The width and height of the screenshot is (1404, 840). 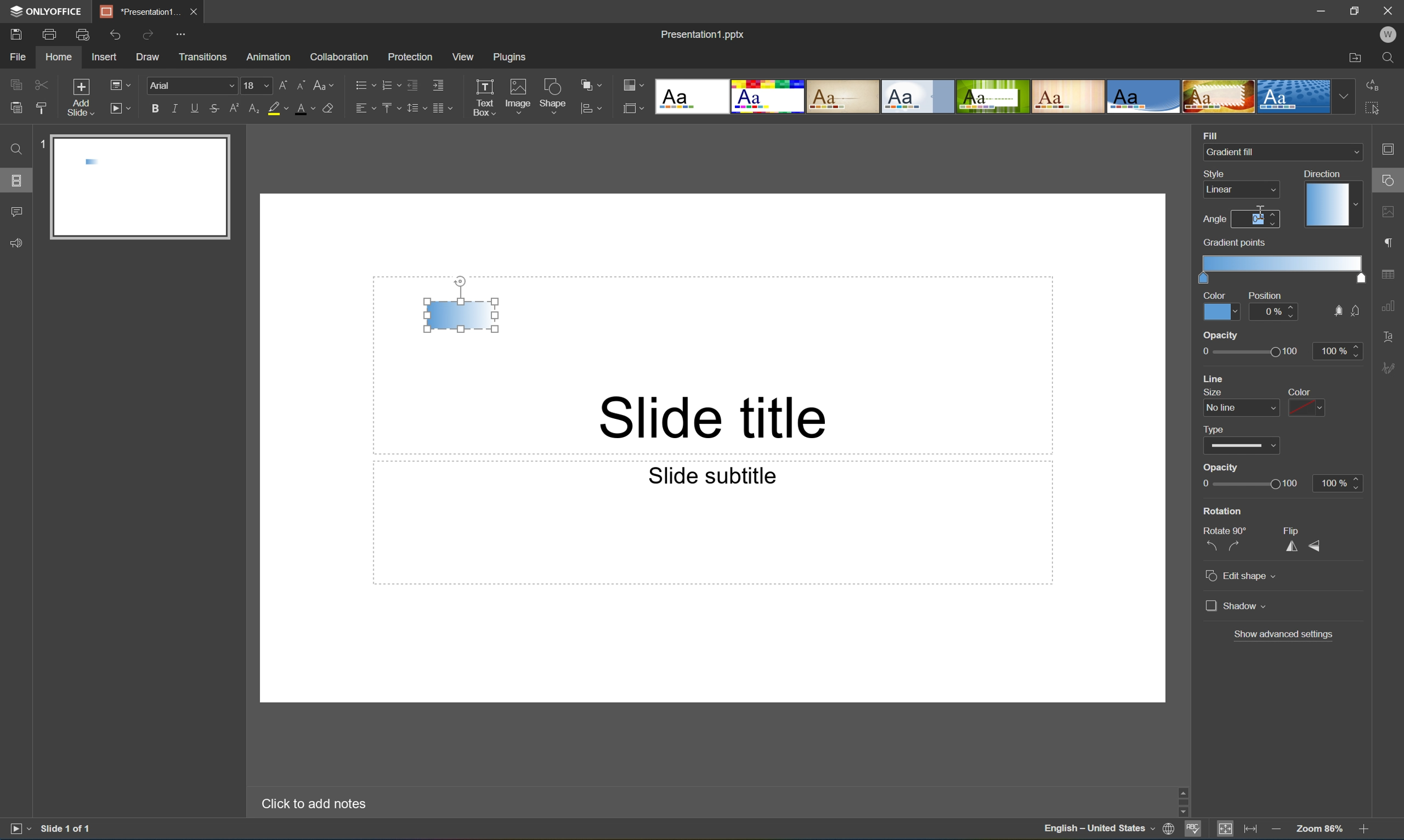 What do you see at coordinates (1243, 408) in the screenshot?
I see `line size dropdown` at bounding box center [1243, 408].